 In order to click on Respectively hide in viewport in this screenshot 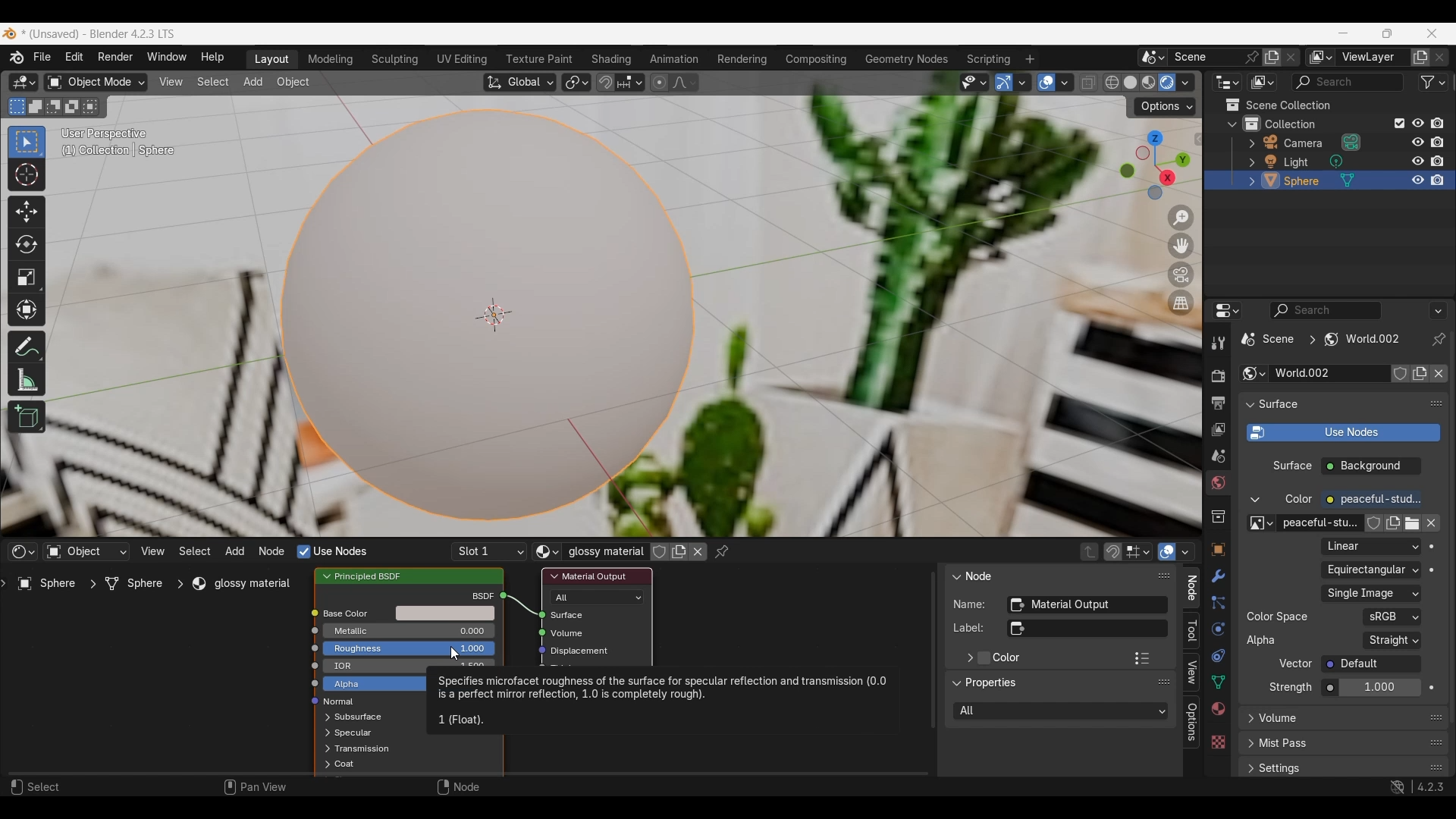, I will do `click(1417, 123)`.